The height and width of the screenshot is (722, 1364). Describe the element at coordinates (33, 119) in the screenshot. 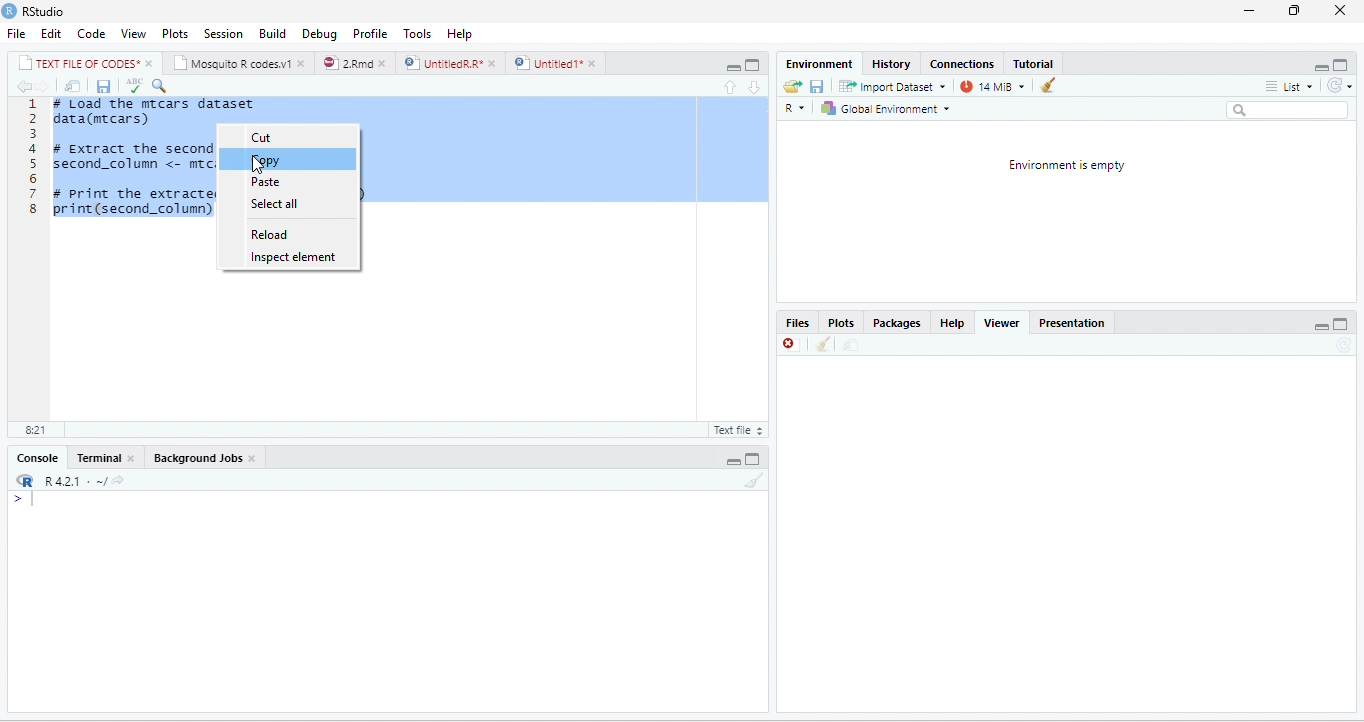

I see `2` at that location.